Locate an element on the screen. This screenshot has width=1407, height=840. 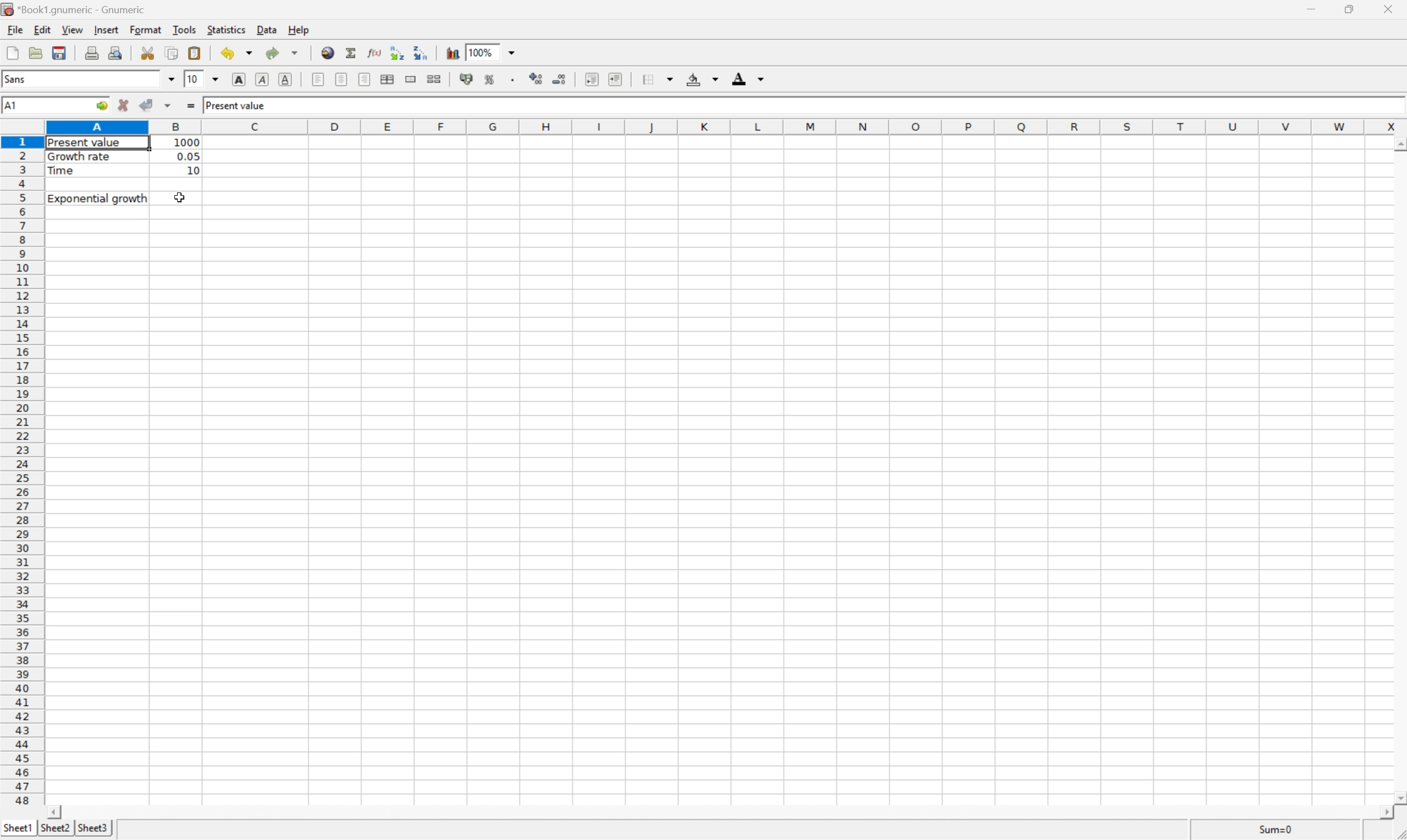
Open a file is located at coordinates (37, 53).